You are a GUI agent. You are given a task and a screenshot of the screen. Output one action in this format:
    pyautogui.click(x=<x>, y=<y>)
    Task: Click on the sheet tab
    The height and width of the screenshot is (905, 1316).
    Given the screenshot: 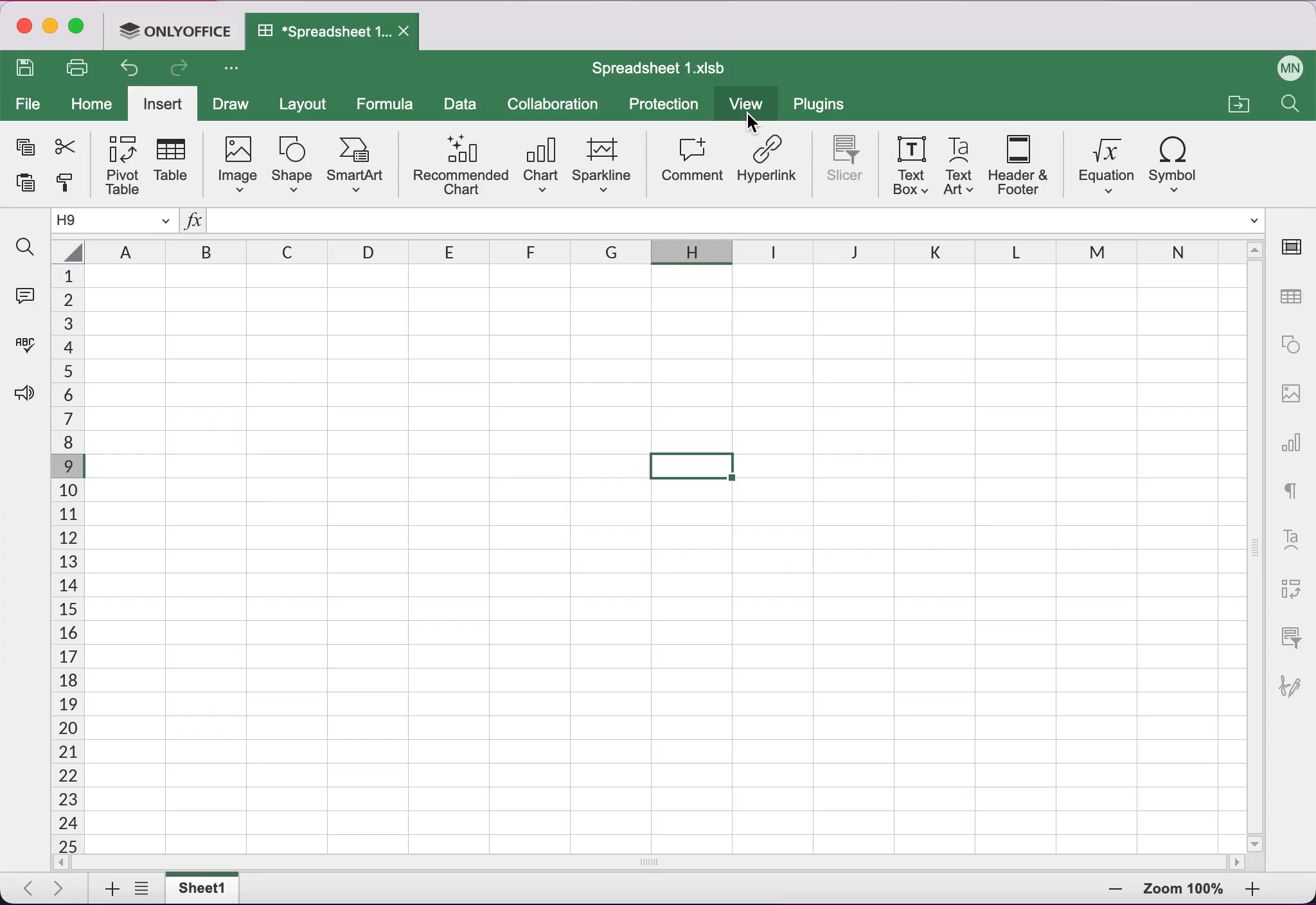 What is the action you would take?
    pyautogui.click(x=208, y=888)
    